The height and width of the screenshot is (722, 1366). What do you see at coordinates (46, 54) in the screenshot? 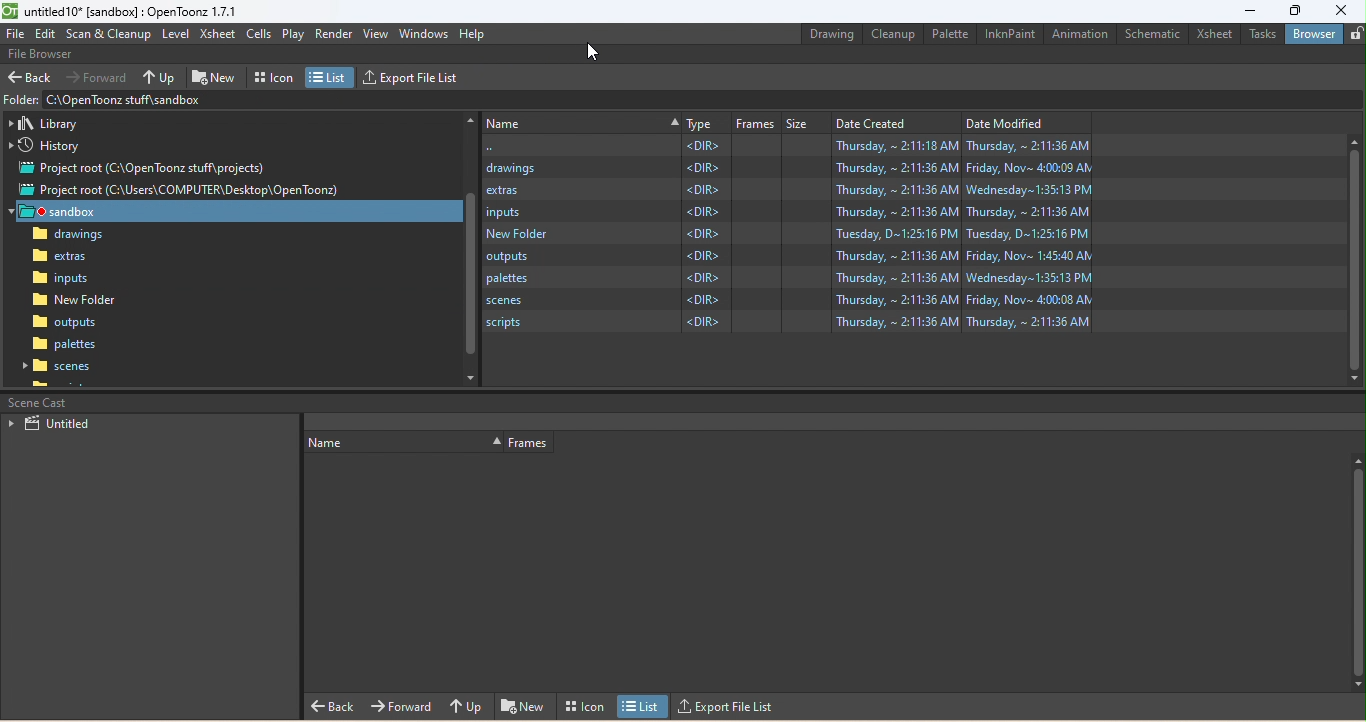
I see `File browser` at bounding box center [46, 54].